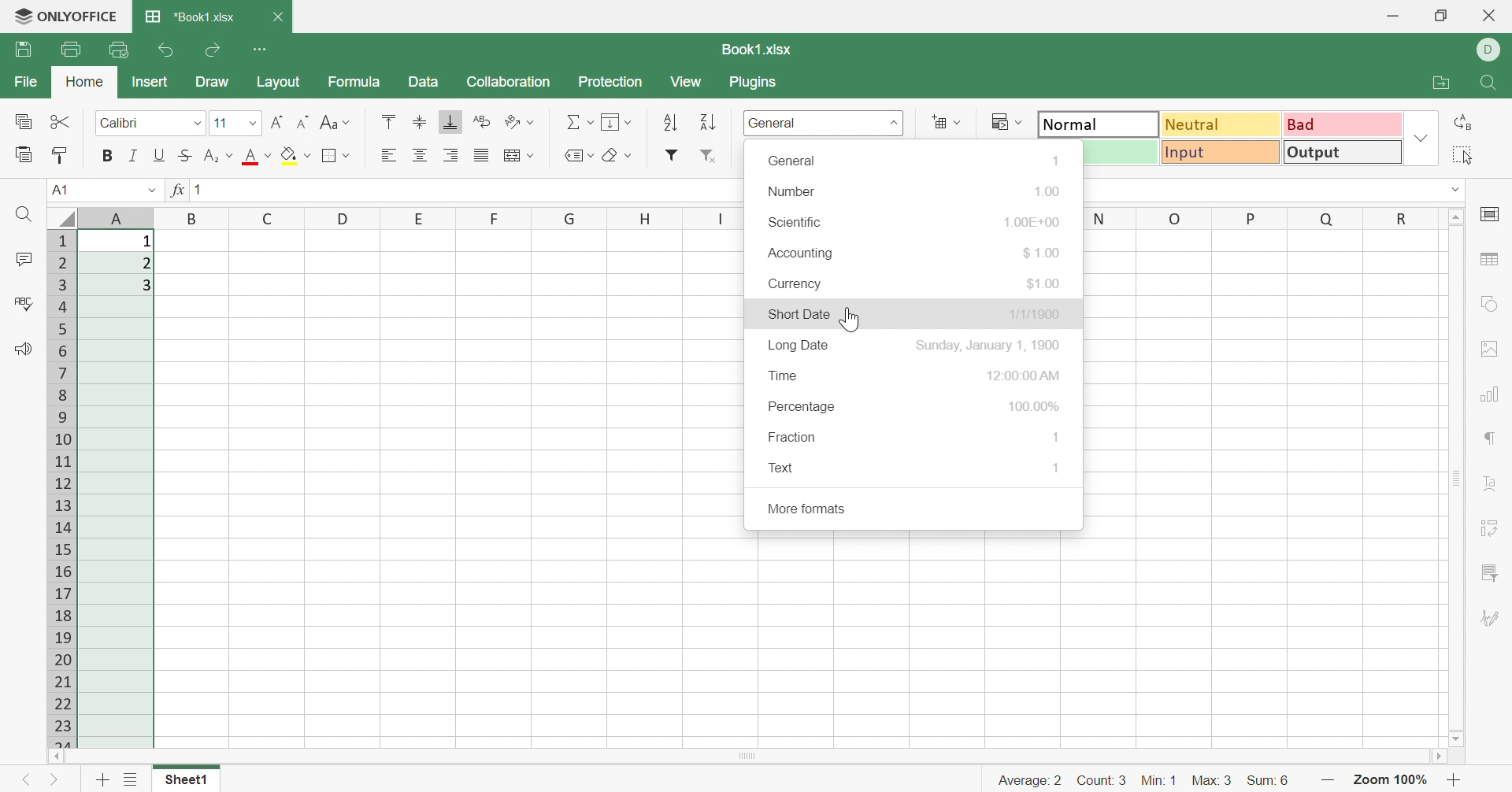 The height and width of the screenshot is (792, 1512). What do you see at coordinates (198, 189) in the screenshot?
I see `1` at bounding box center [198, 189].